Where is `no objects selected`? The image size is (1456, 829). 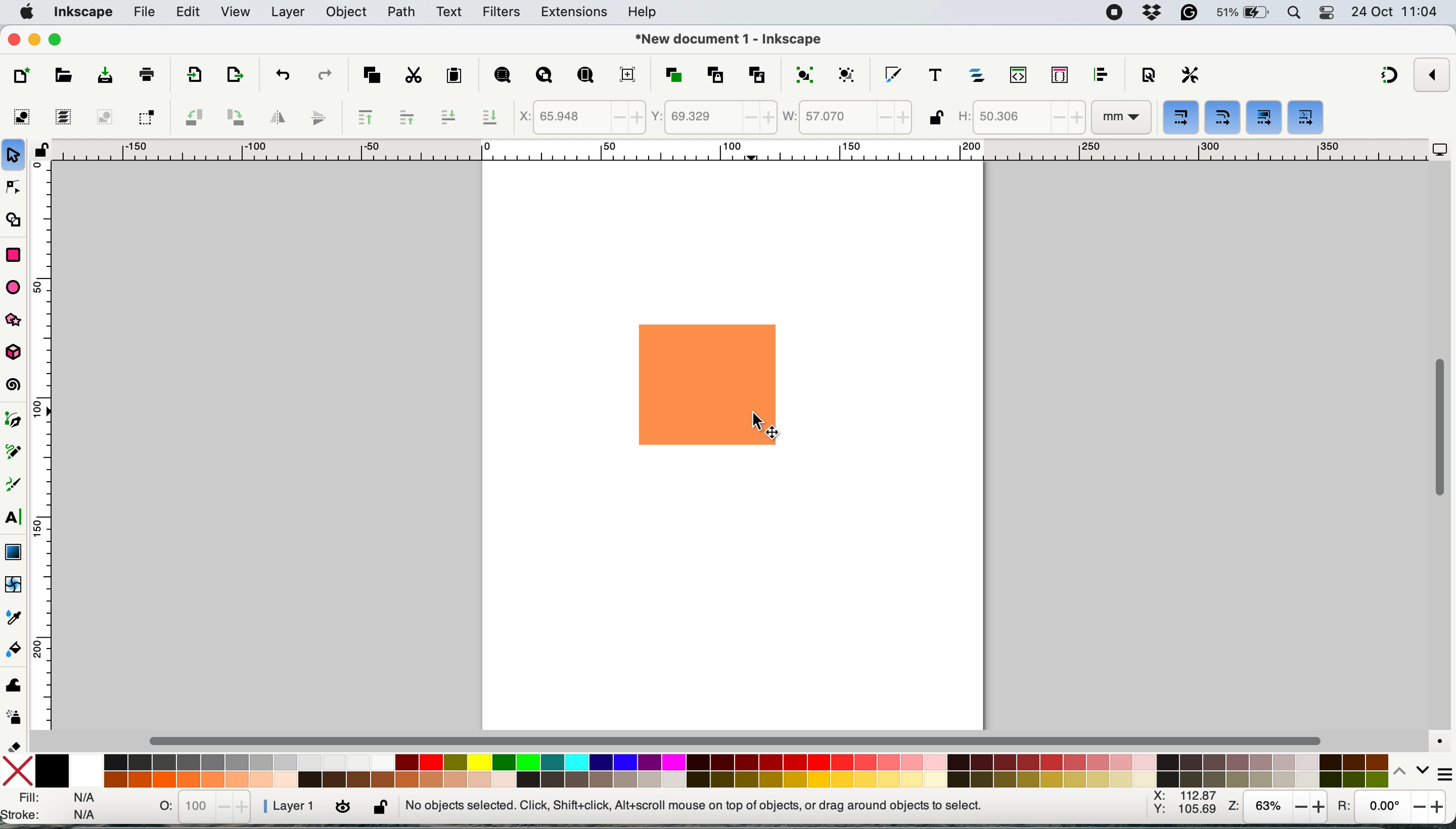
no objects selected is located at coordinates (704, 806).